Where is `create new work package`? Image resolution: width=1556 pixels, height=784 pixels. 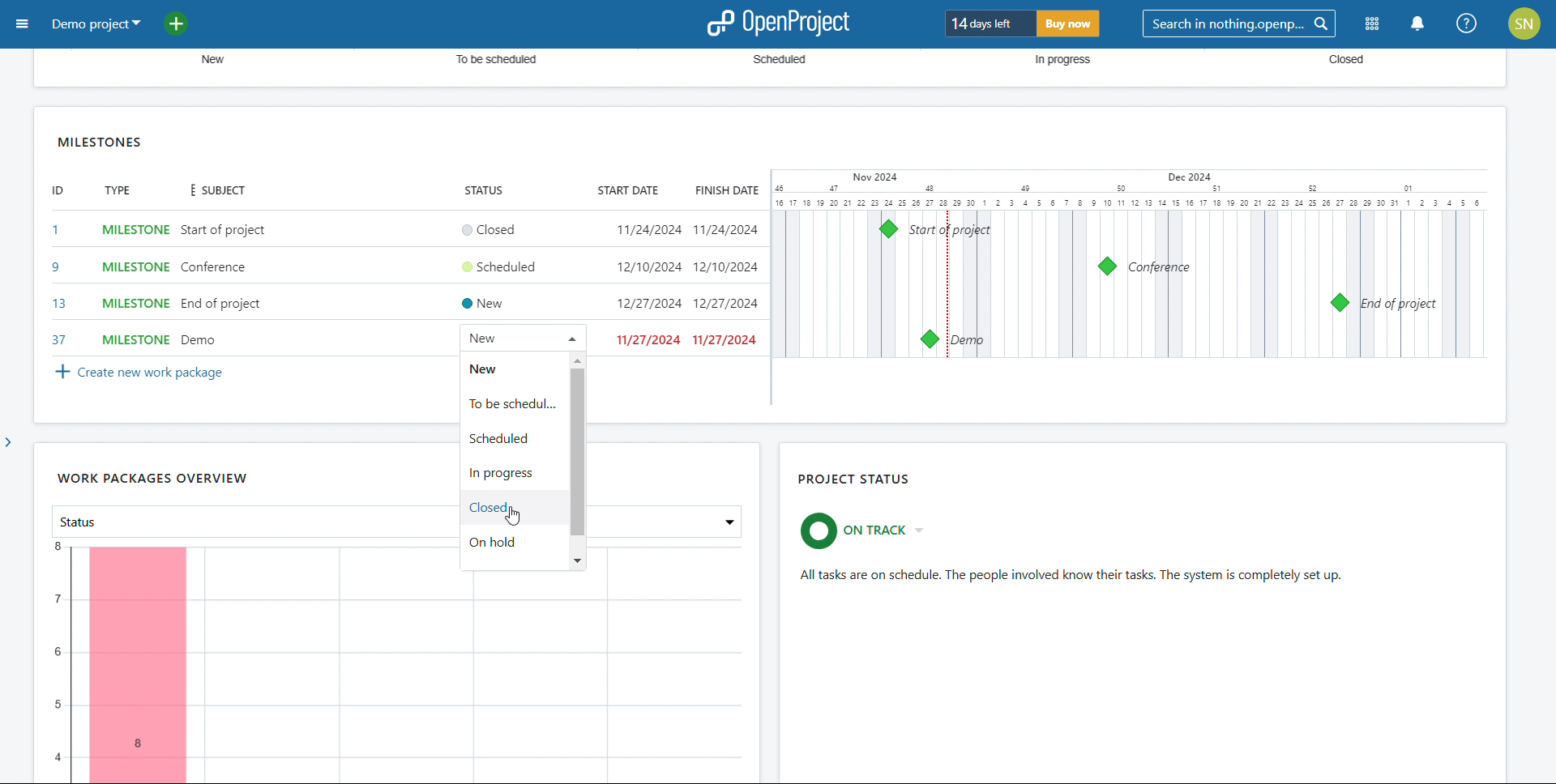
create new work package is located at coordinates (136, 372).